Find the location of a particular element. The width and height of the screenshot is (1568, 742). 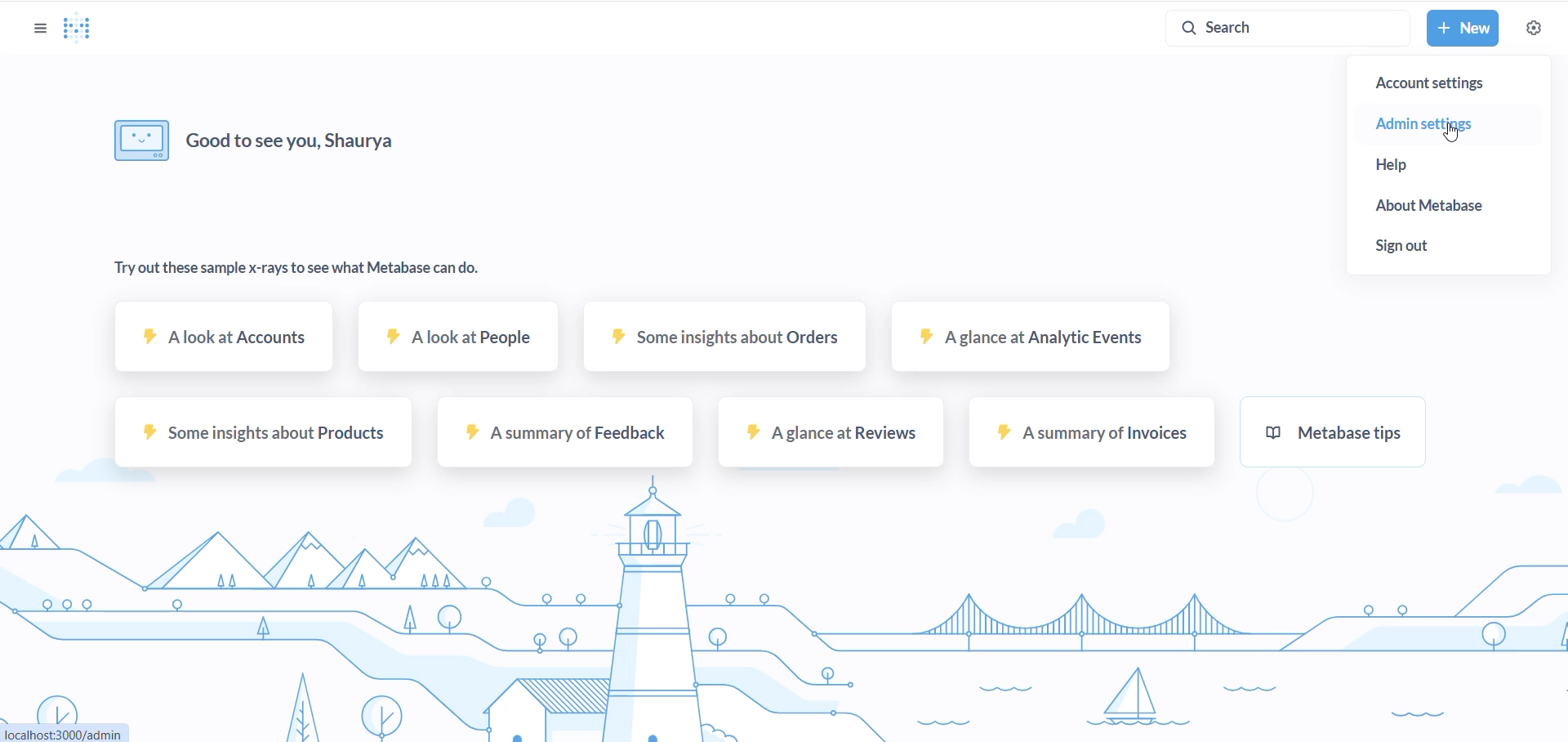

search button is located at coordinates (1283, 28).